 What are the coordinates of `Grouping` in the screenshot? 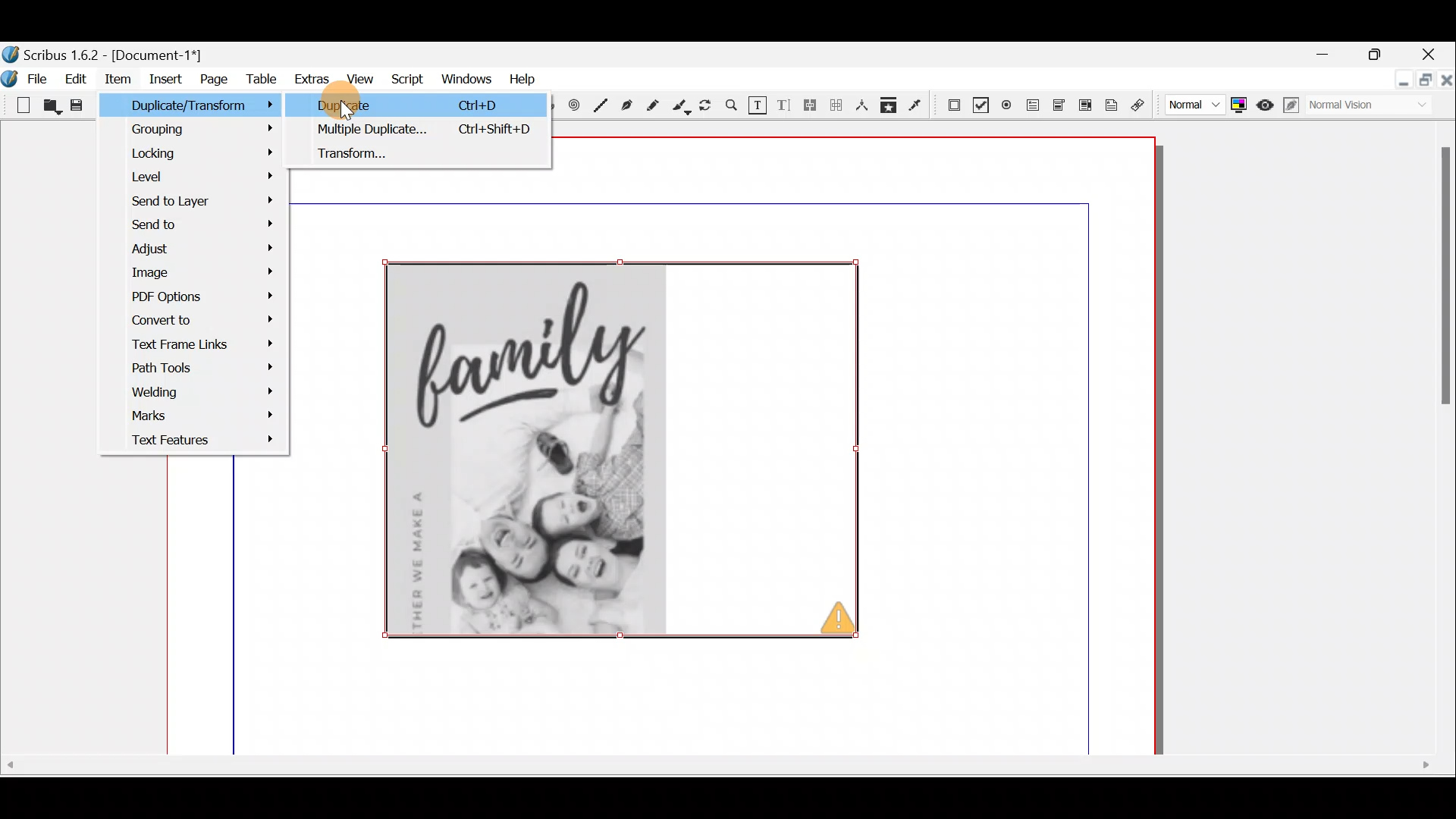 It's located at (201, 131).